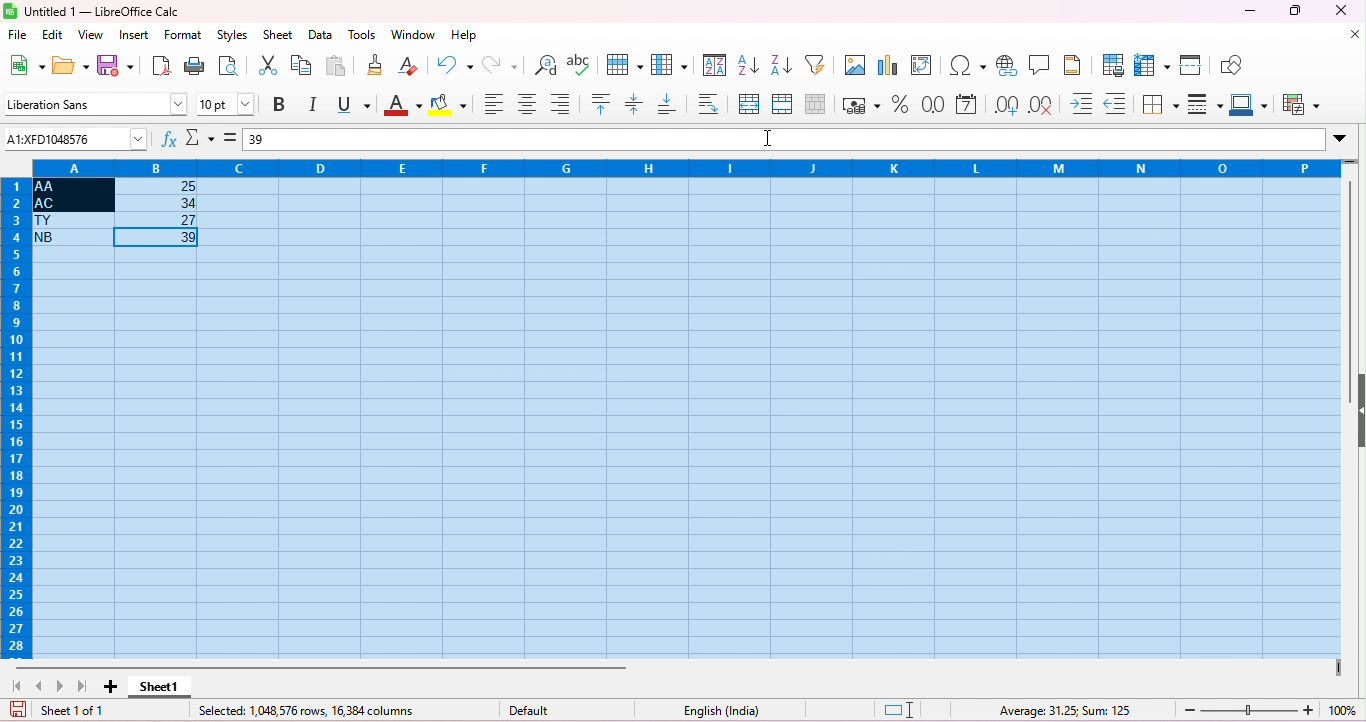 This screenshot has width=1366, height=722. Describe the element at coordinates (22, 686) in the screenshot. I see `first sheet` at that location.